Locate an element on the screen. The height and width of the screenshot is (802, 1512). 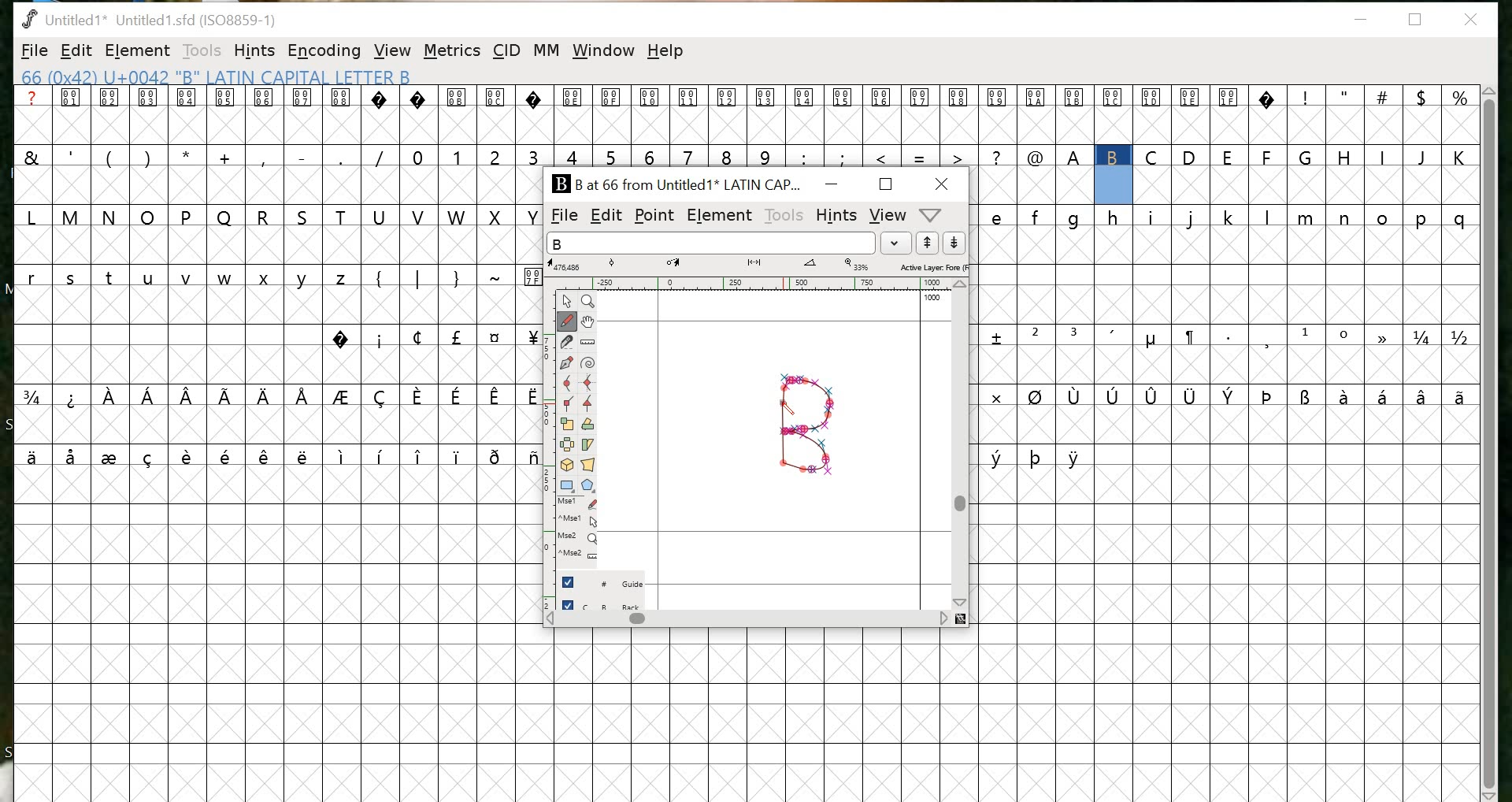
back layer is located at coordinates (603, 603).